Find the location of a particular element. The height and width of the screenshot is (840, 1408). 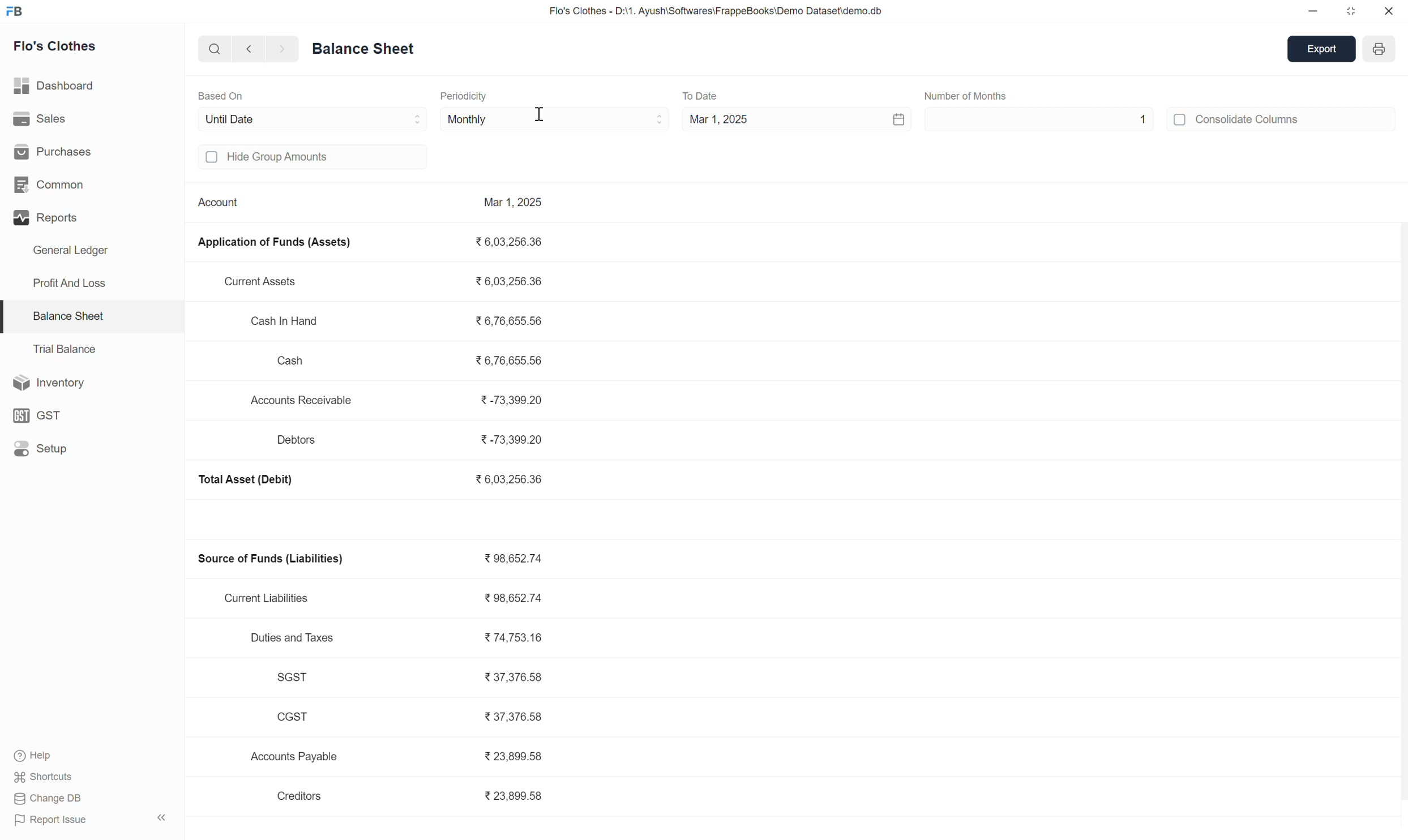

Inventory is located at coordinates (52, 383).